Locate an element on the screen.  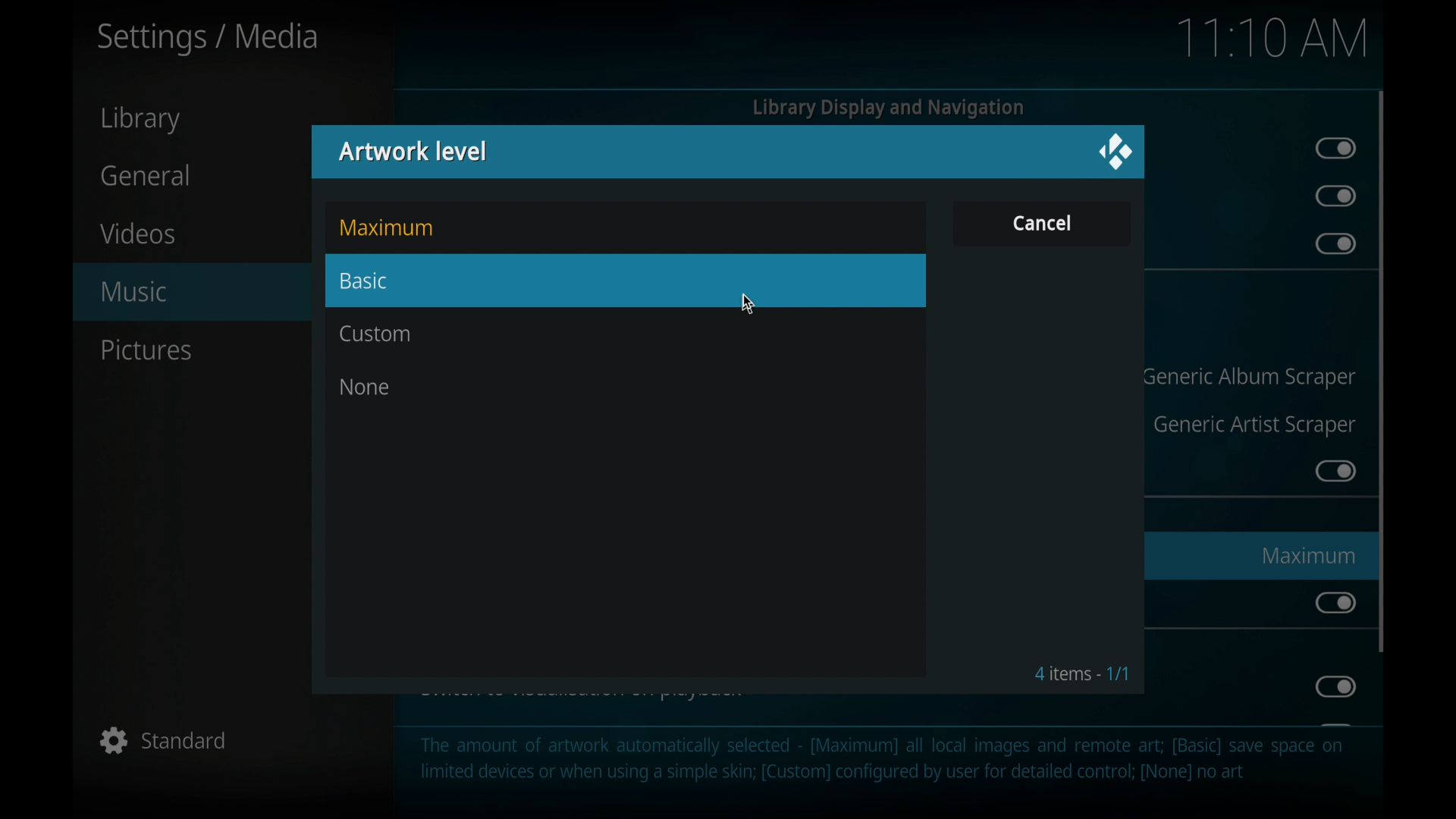
artwork level is located at coordinates (414, 150).